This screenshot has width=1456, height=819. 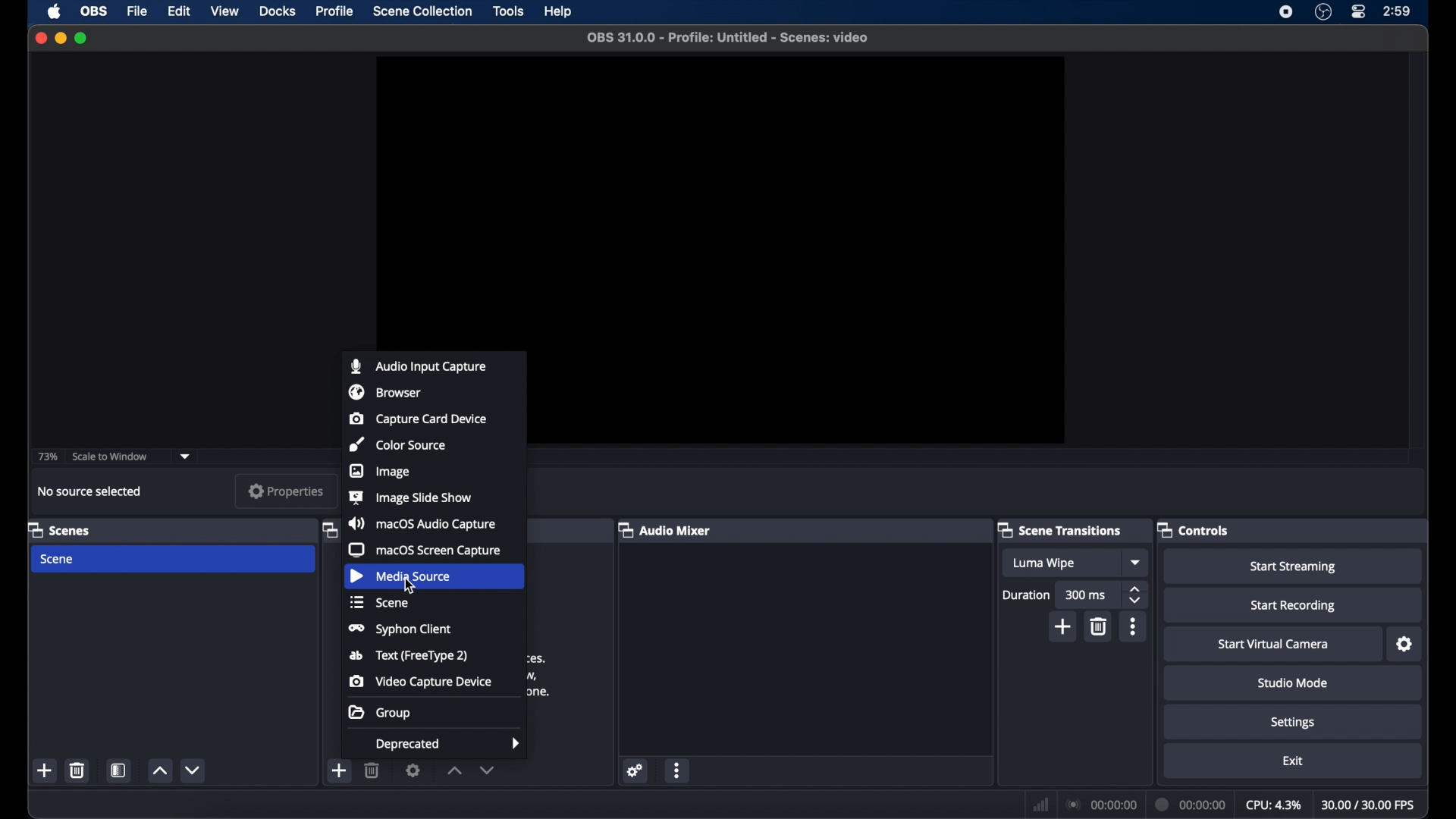 What do you see at coordinates (411, 585) in the screenshot?
I see `cursor` at bounding box center [411, 585].